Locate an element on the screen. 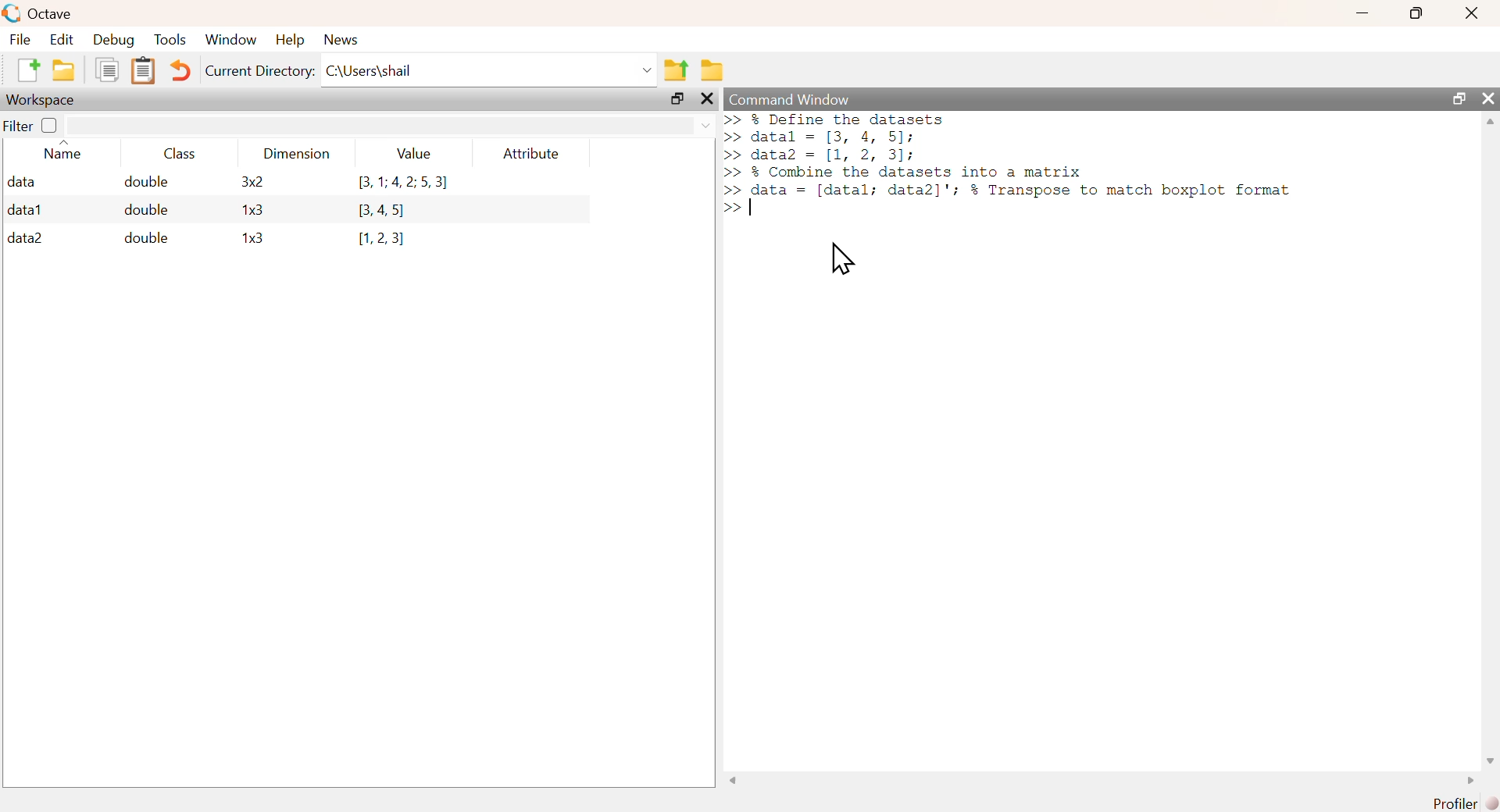 The width and height of the screenshot is (1500, 812). scroll down is located at coordinates (1486, 760).